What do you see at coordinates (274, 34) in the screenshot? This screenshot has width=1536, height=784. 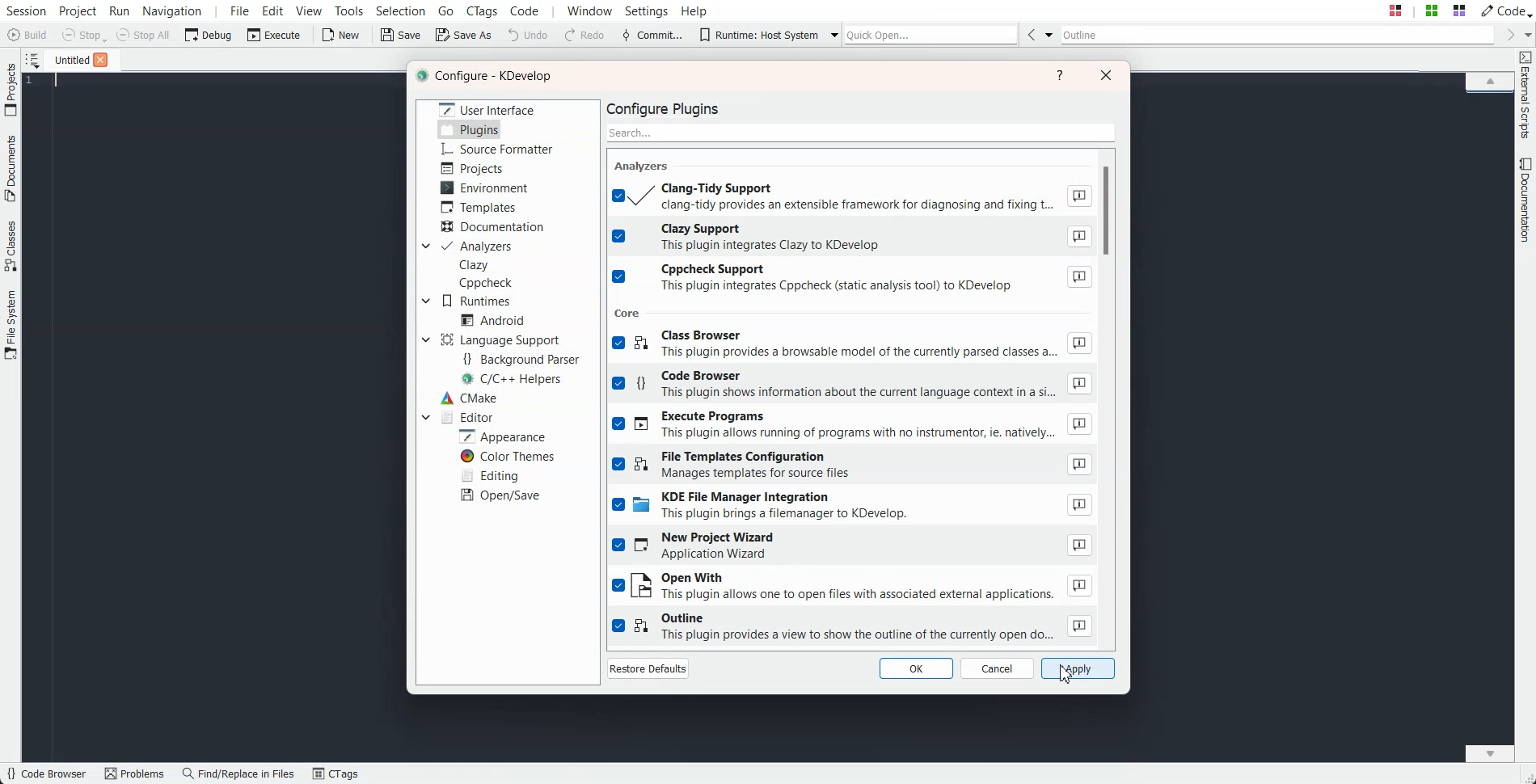 I see `Execute` at bounding box center [274, 34].